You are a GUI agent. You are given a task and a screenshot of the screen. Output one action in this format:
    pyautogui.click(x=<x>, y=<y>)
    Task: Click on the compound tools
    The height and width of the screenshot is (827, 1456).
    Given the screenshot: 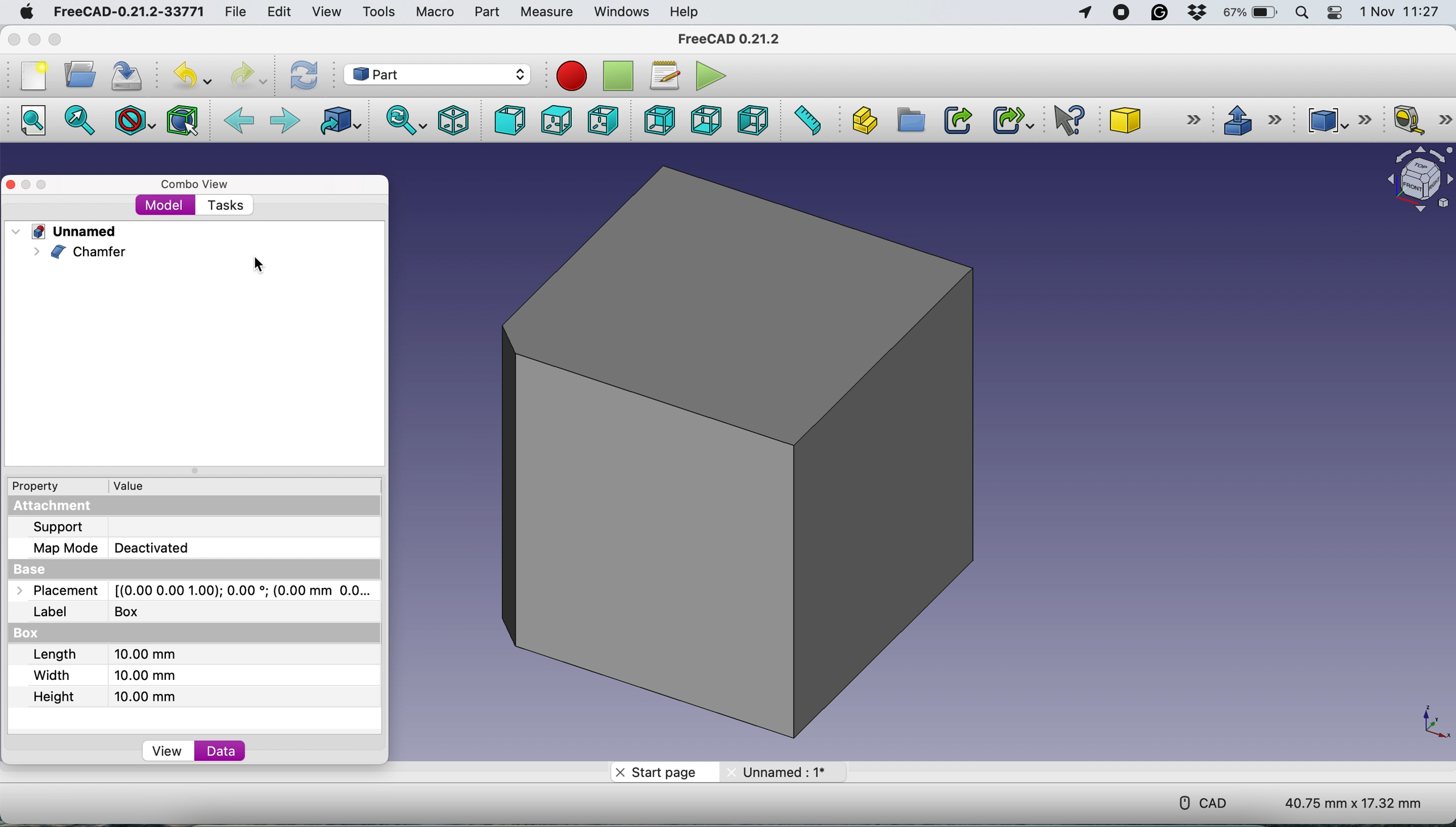 What is the action you would take?
    pyautogui.click(x=1336, y=120)
    